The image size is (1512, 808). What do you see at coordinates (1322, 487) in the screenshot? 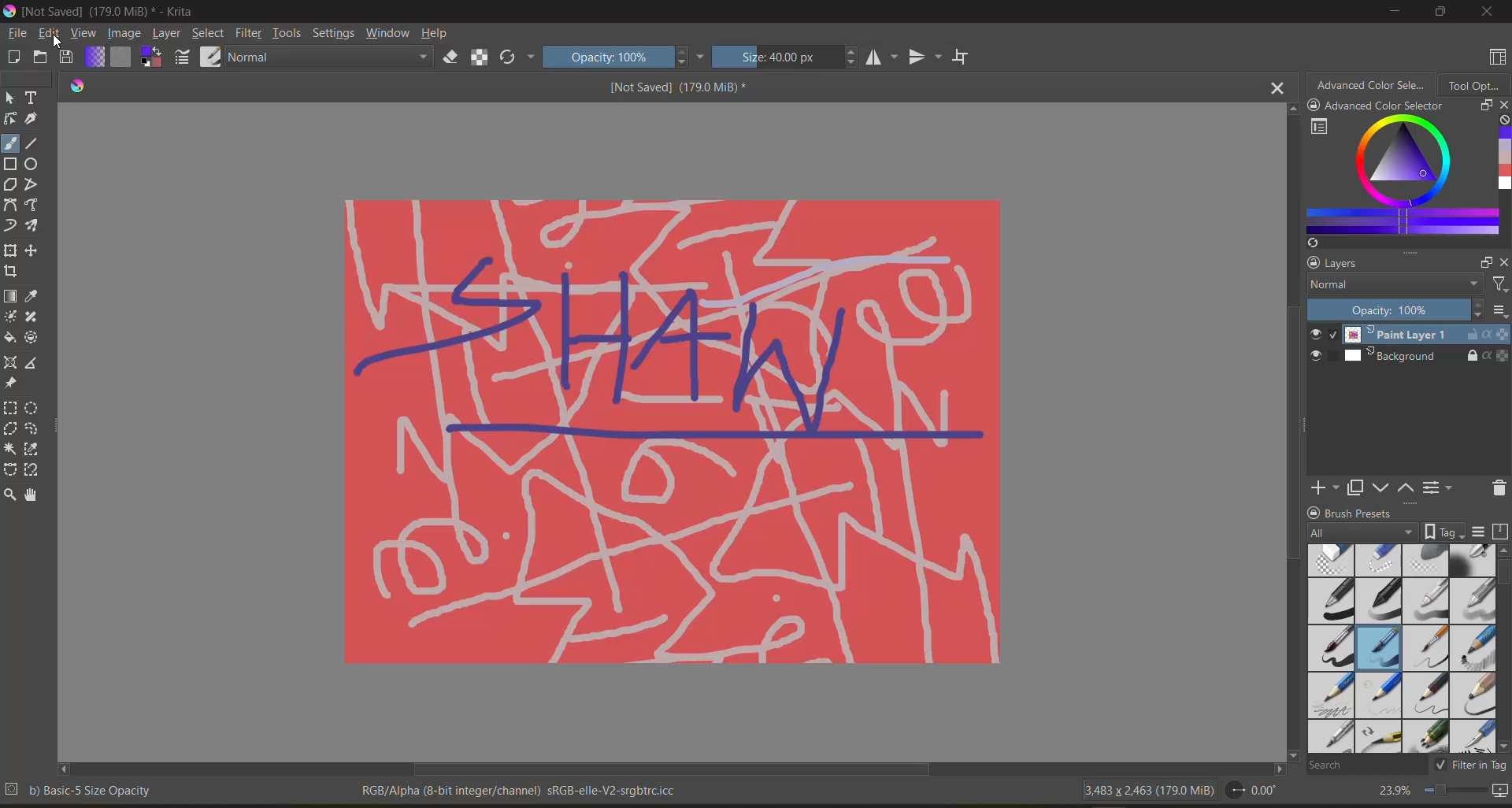
I see `add` at bounding box center [1322, 487].